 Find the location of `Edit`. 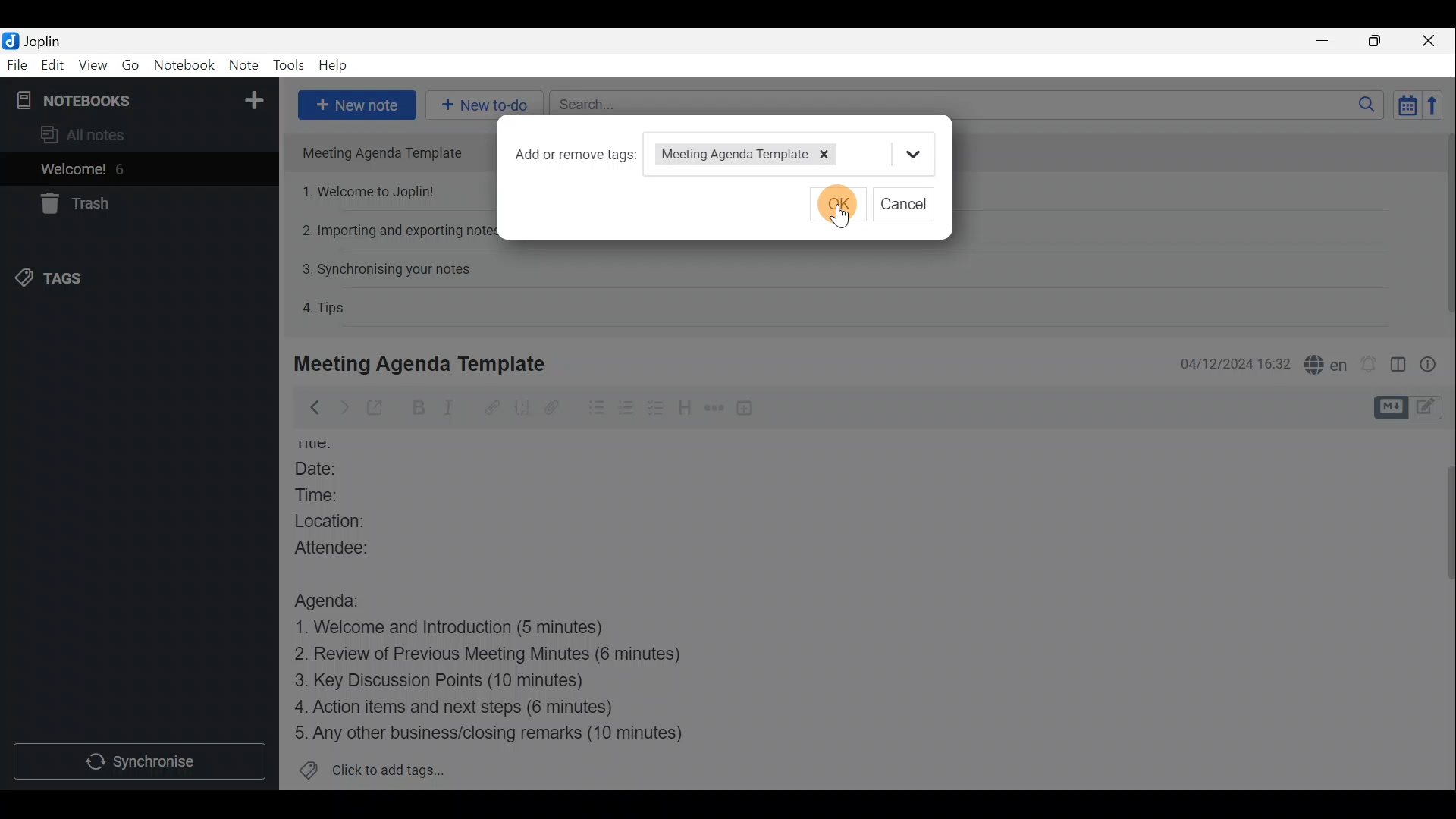

Edit is located at coordinates (53, 67).